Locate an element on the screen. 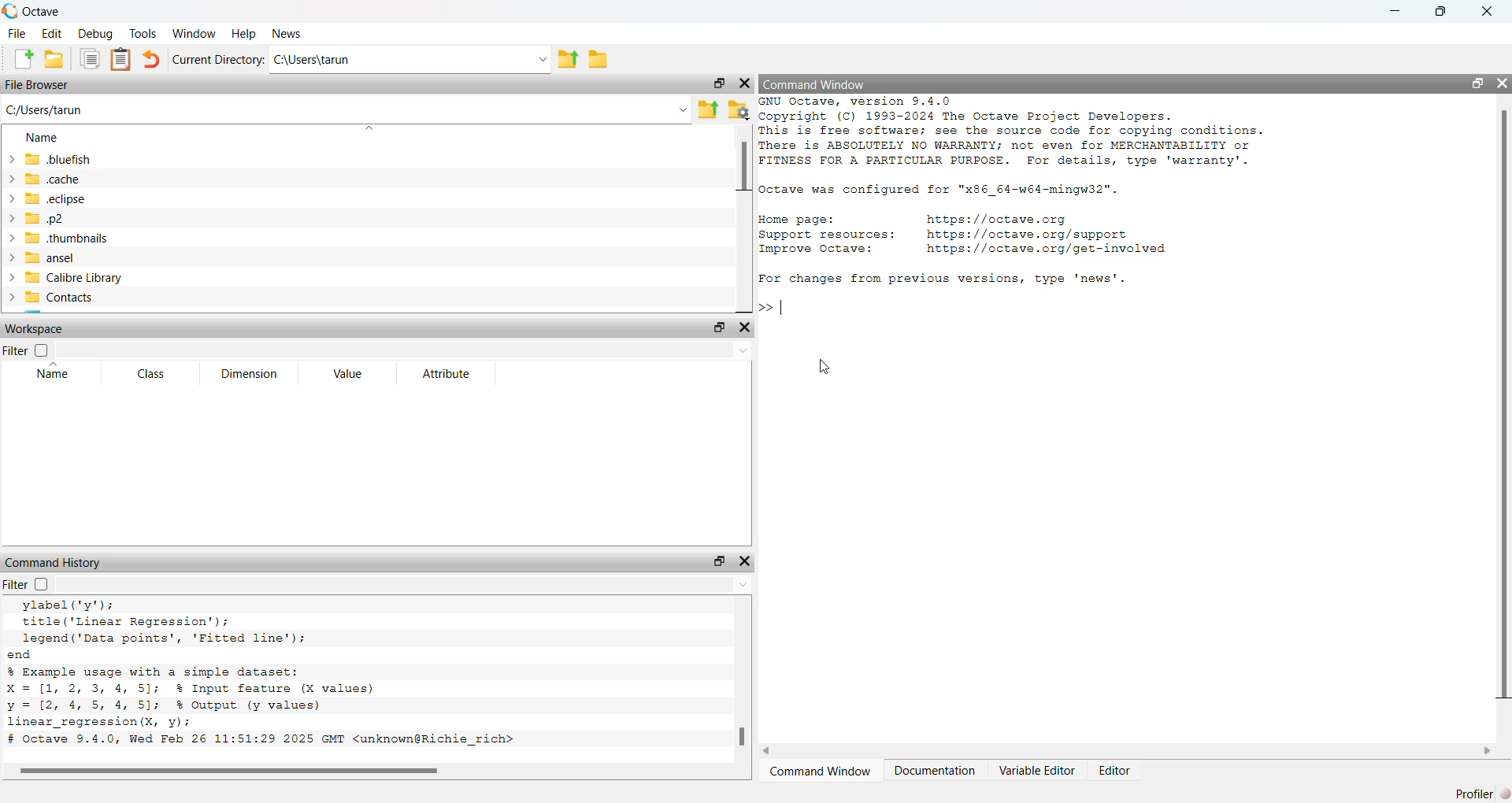 The image size is (1512, 803). filter is located at coordinates (24, 350).